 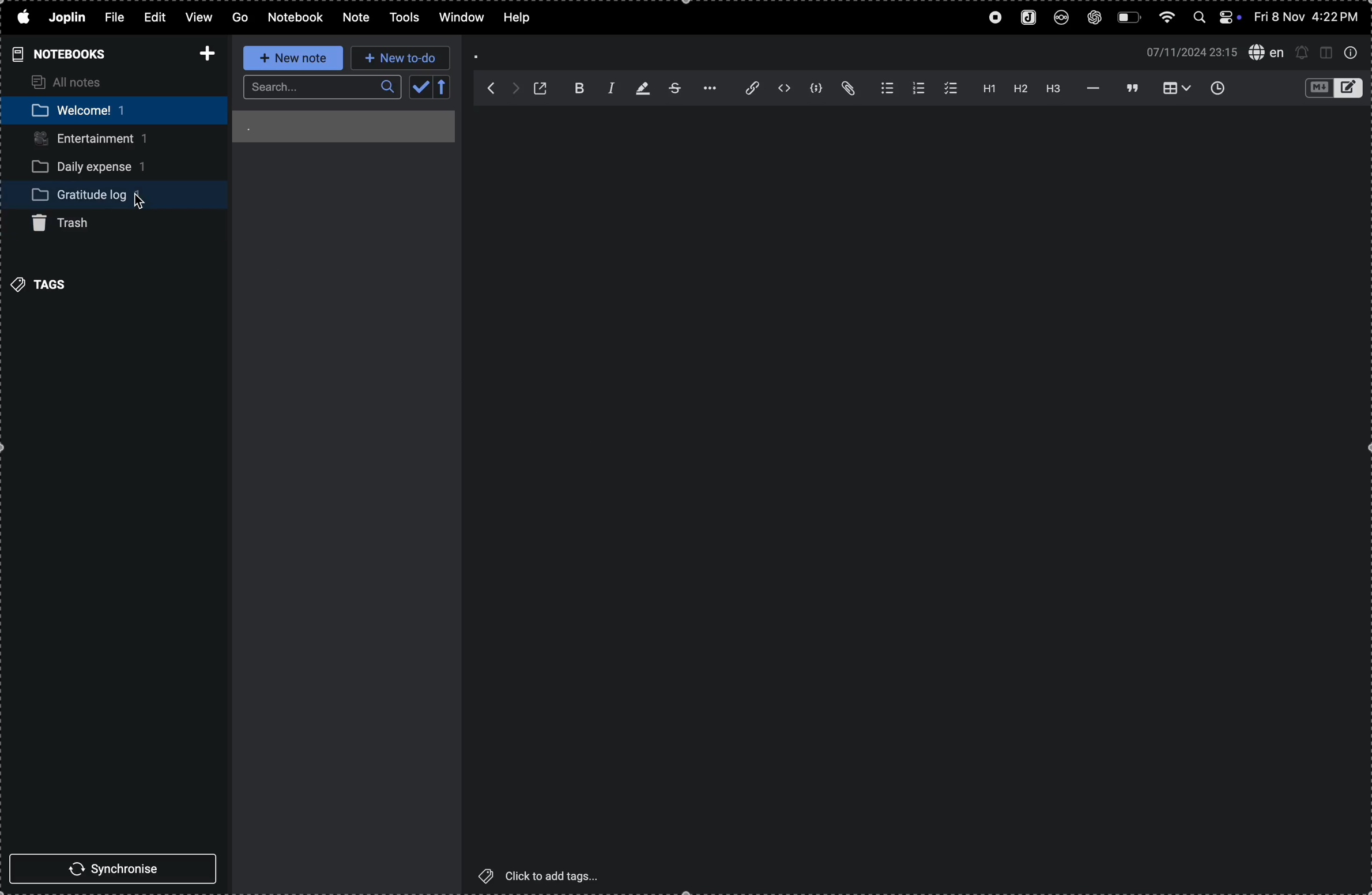 What do you see at coordinates (296, 18) in the screenshot?
I see `notebook` at bounding box center [296, 18].